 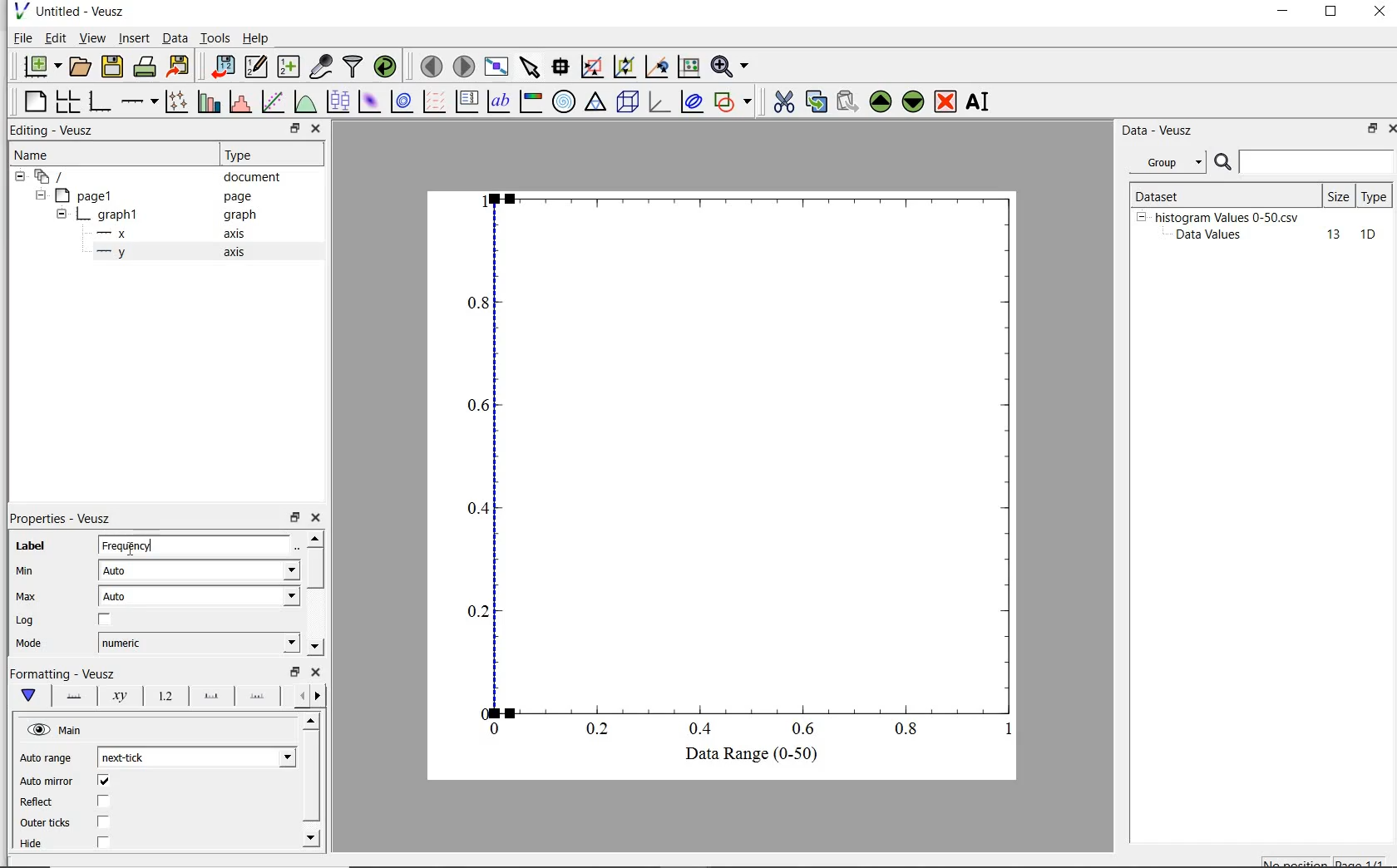 I want to click on paste the selected widget, so click(x=847, y=103).